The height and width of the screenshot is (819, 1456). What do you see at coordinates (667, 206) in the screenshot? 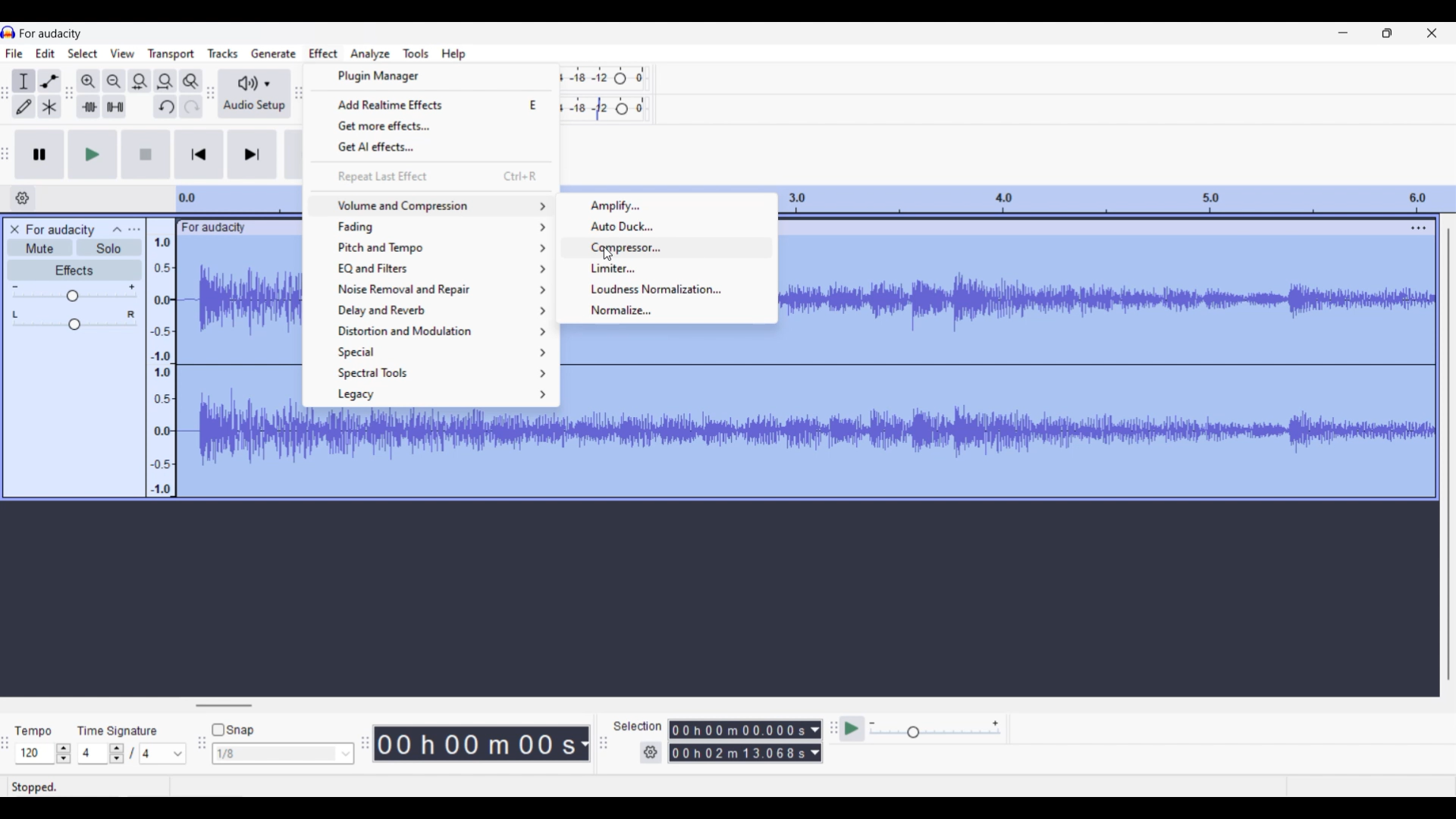
I see `Amplify` at bounding box center [667, 206].